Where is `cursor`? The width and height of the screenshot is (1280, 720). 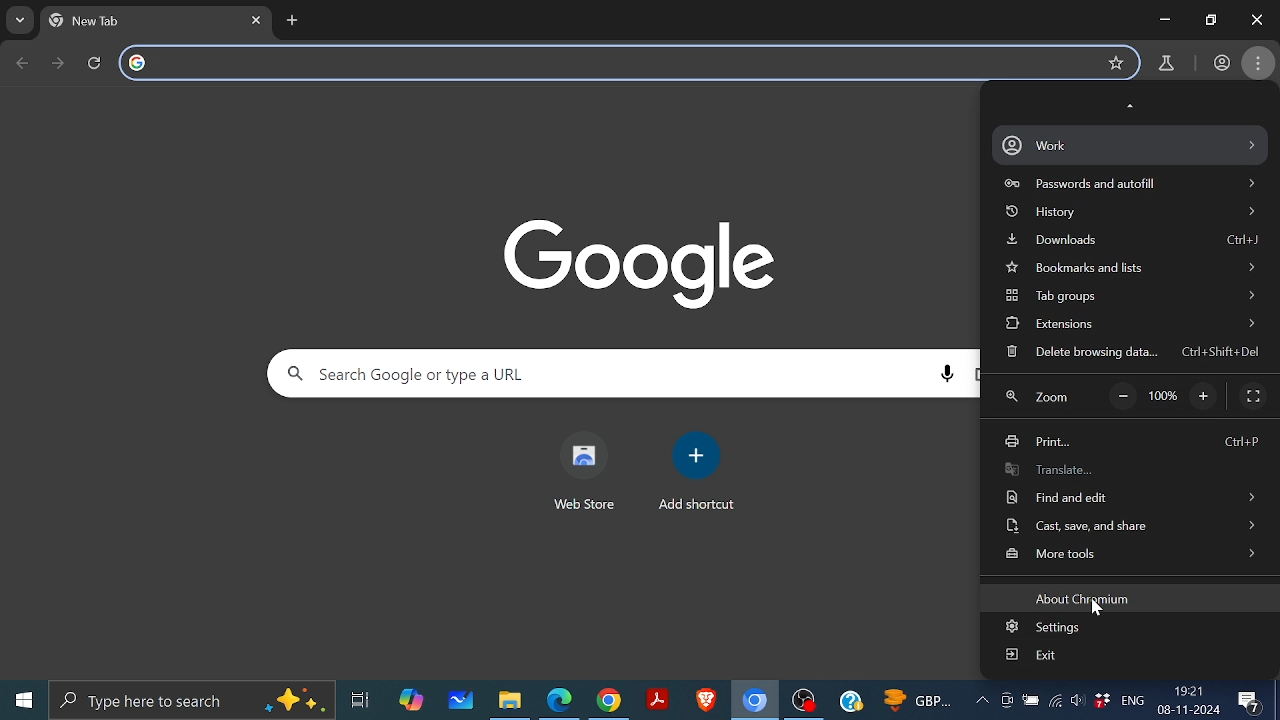 cursor is located at coordinates (1098, 608).